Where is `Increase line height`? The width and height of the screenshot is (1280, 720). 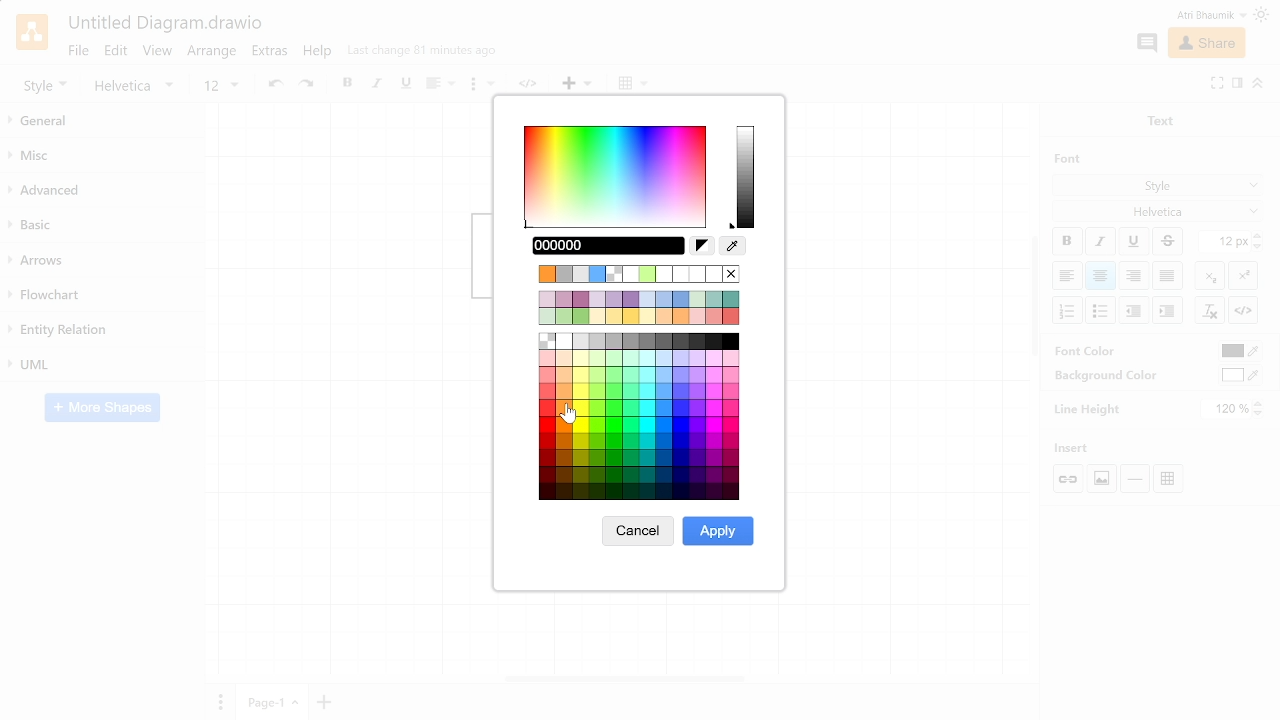
Increase line height is located at coordinates (1260, 403).